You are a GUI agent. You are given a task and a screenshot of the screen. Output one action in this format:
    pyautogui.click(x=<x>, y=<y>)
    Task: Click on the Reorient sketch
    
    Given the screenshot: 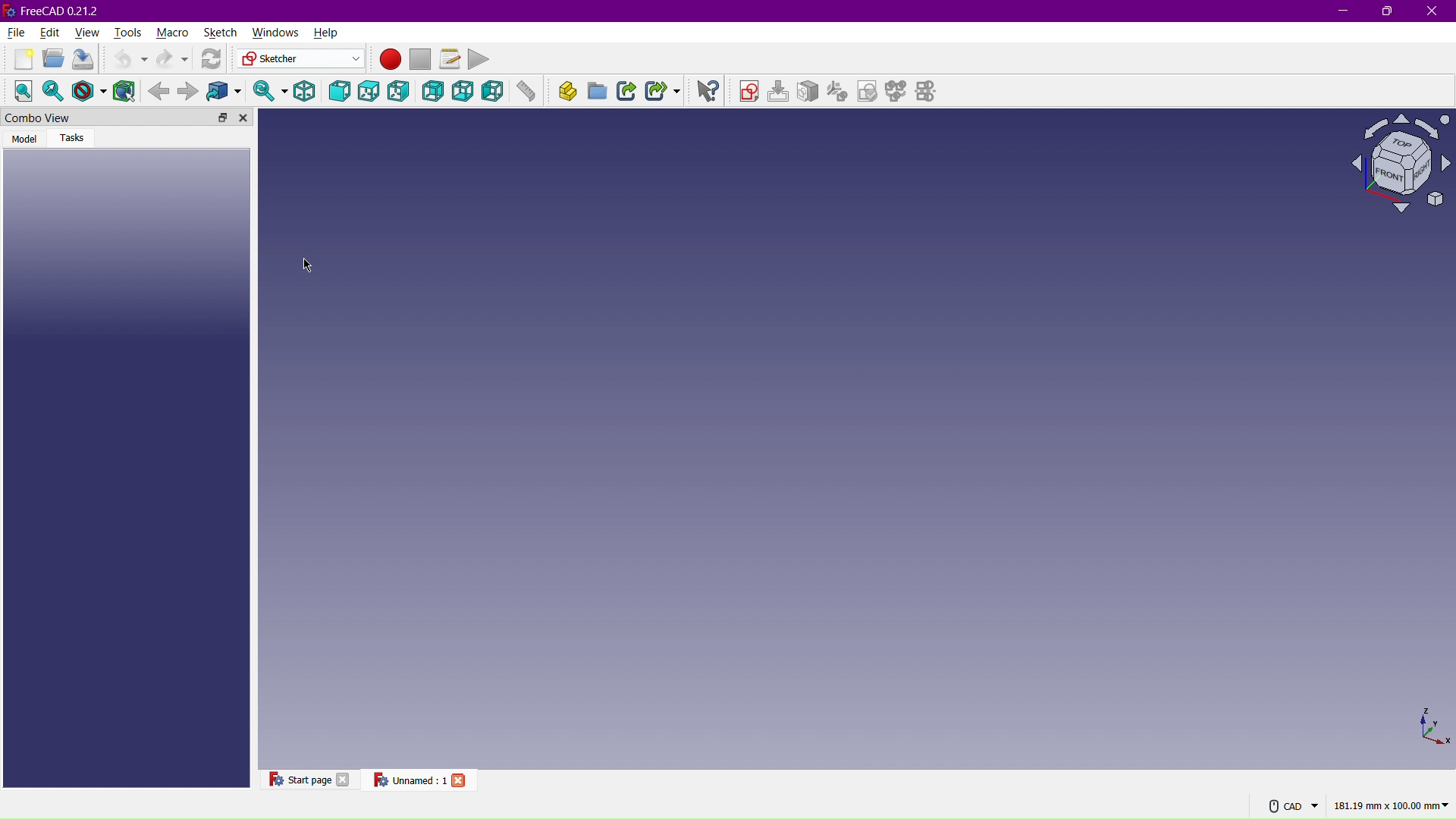 What is the action you would take?
    pyautogui.click(x=840, y=92)
    